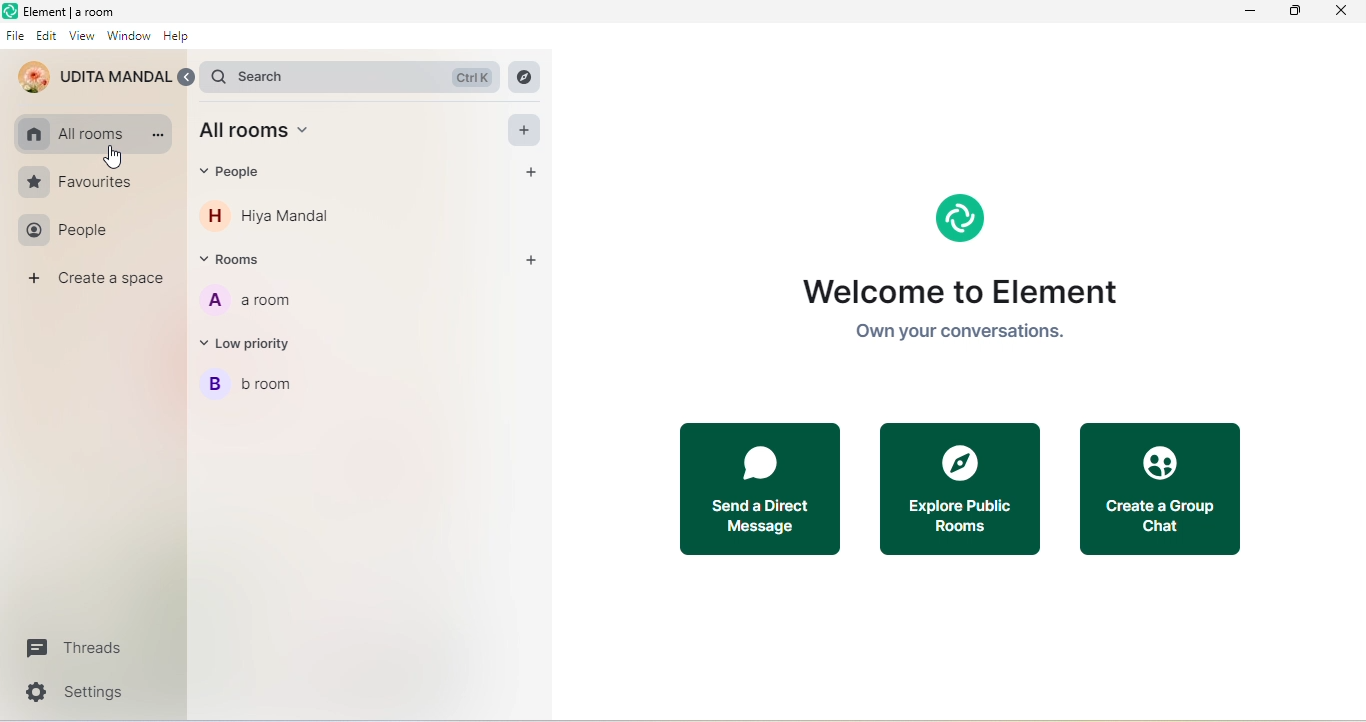 This screenshot has width=1366, height=722. Describe the element at coordinates (69, 231) in the screenshot. I see `People` at that location.